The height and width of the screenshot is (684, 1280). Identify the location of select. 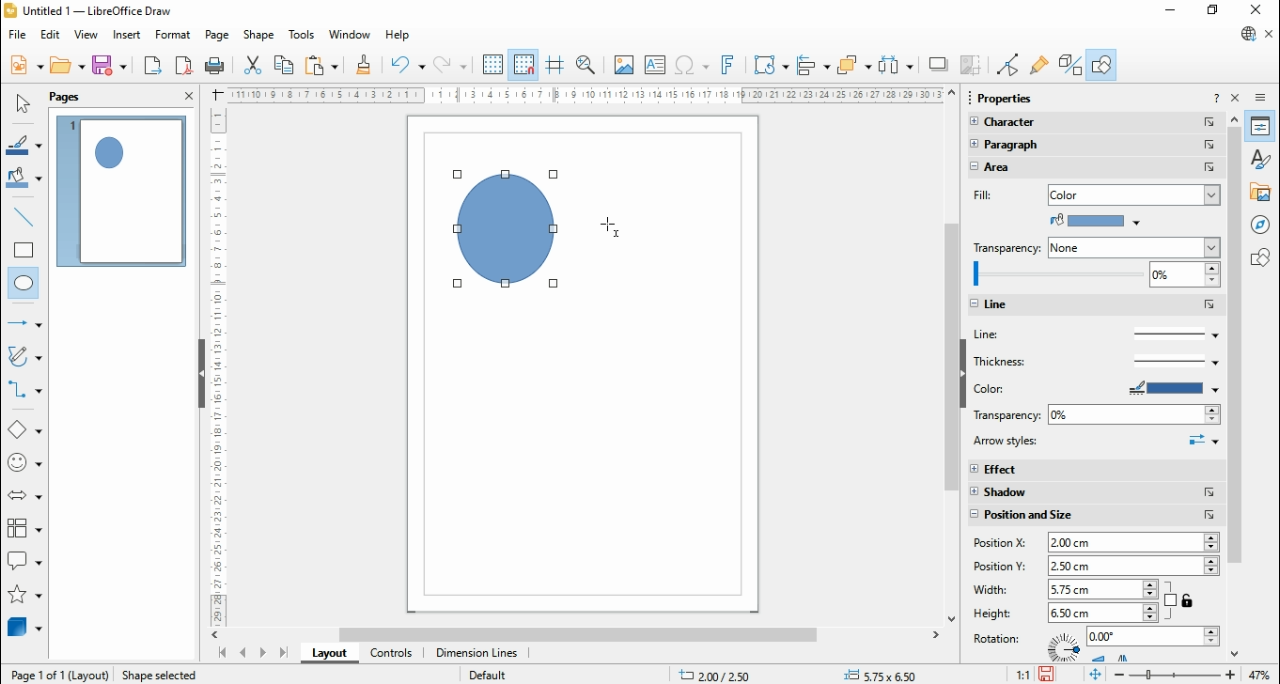
(22, 103).